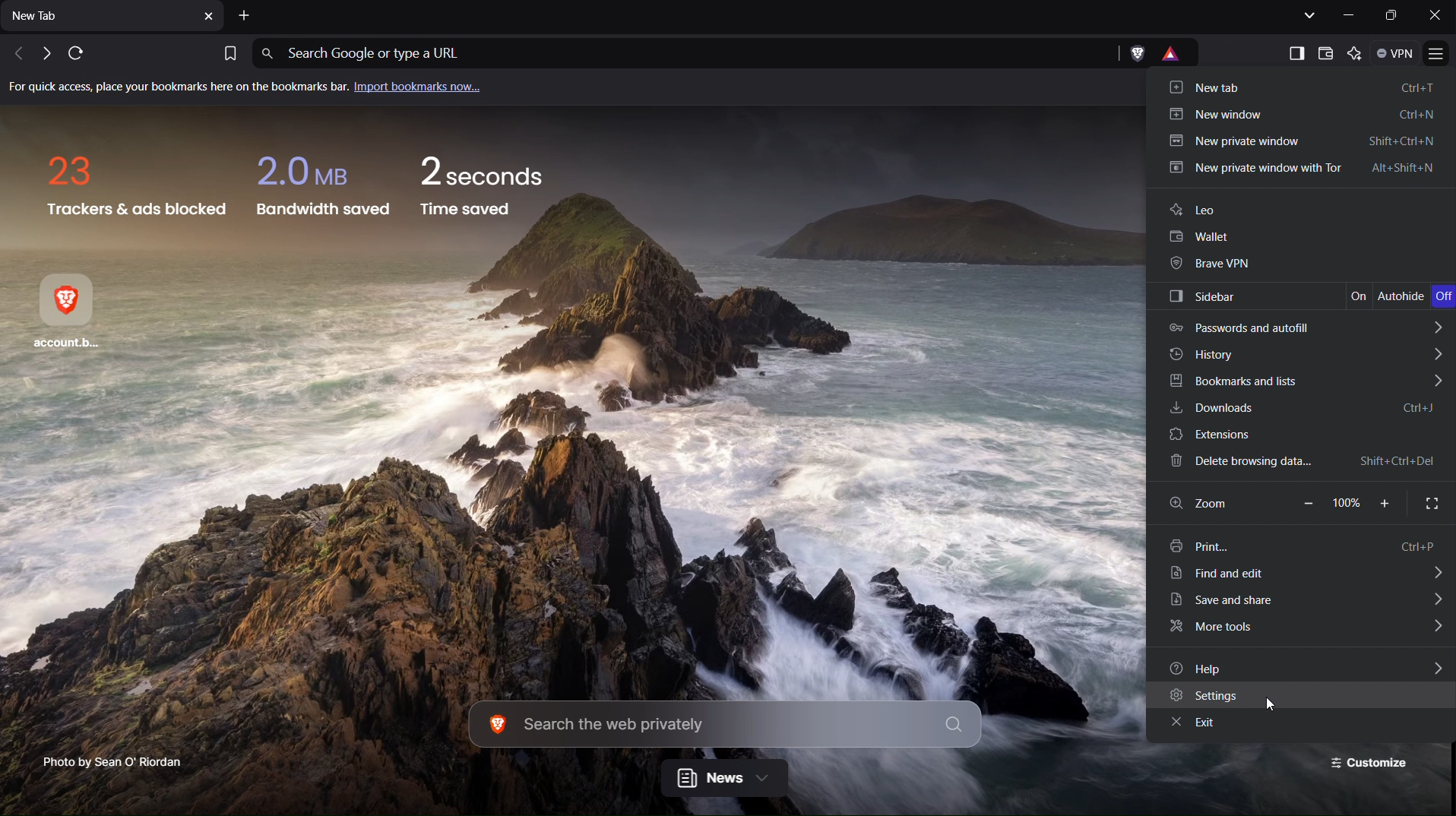 This screenshot has height=816, width=1456. I want to click on Refresh, so click(74, 54).